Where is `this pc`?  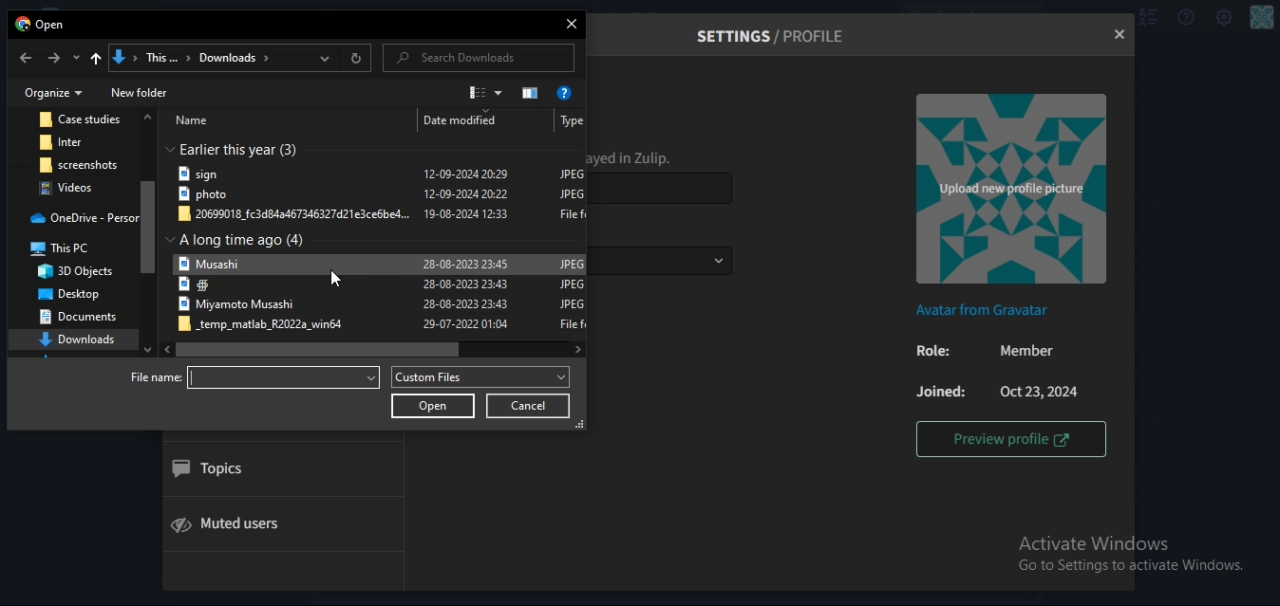
this pc is located at coordinates (71, 251).